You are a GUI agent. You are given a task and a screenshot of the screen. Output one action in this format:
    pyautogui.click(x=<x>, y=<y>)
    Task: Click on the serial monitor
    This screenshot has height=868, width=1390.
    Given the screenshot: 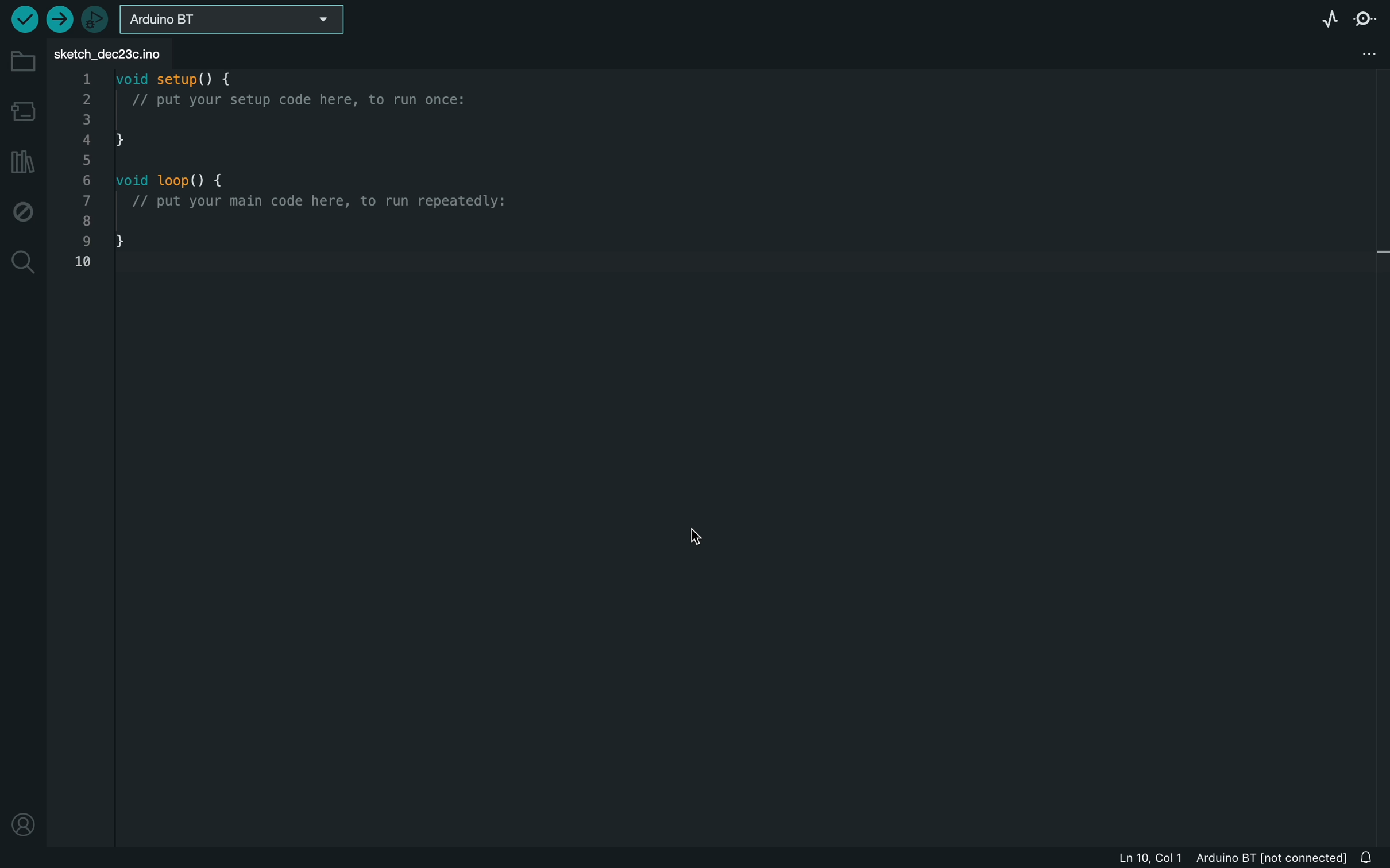 What is the action you would take?
    pyautogui.click(x=1365, y=19)
    